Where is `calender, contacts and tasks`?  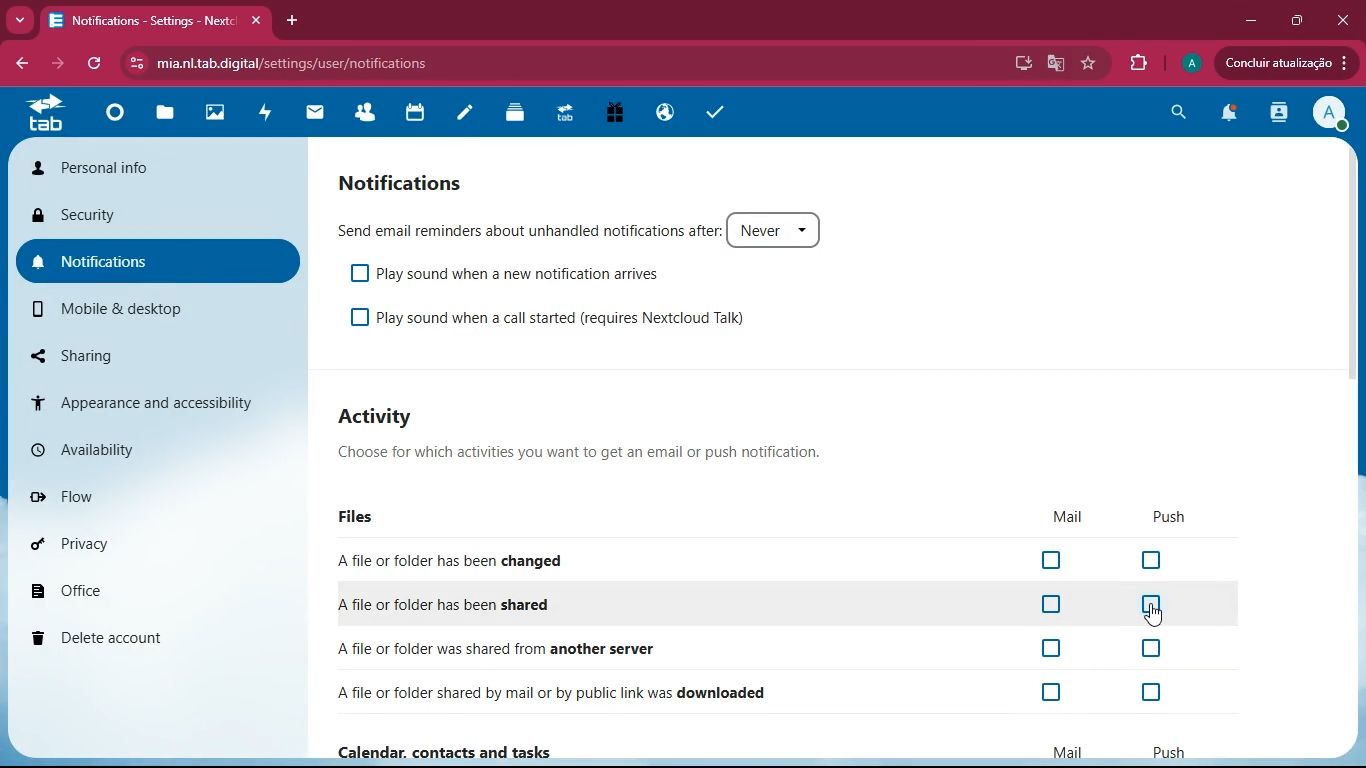 calender, contacts and tasks is located at coordinates (435, 750).